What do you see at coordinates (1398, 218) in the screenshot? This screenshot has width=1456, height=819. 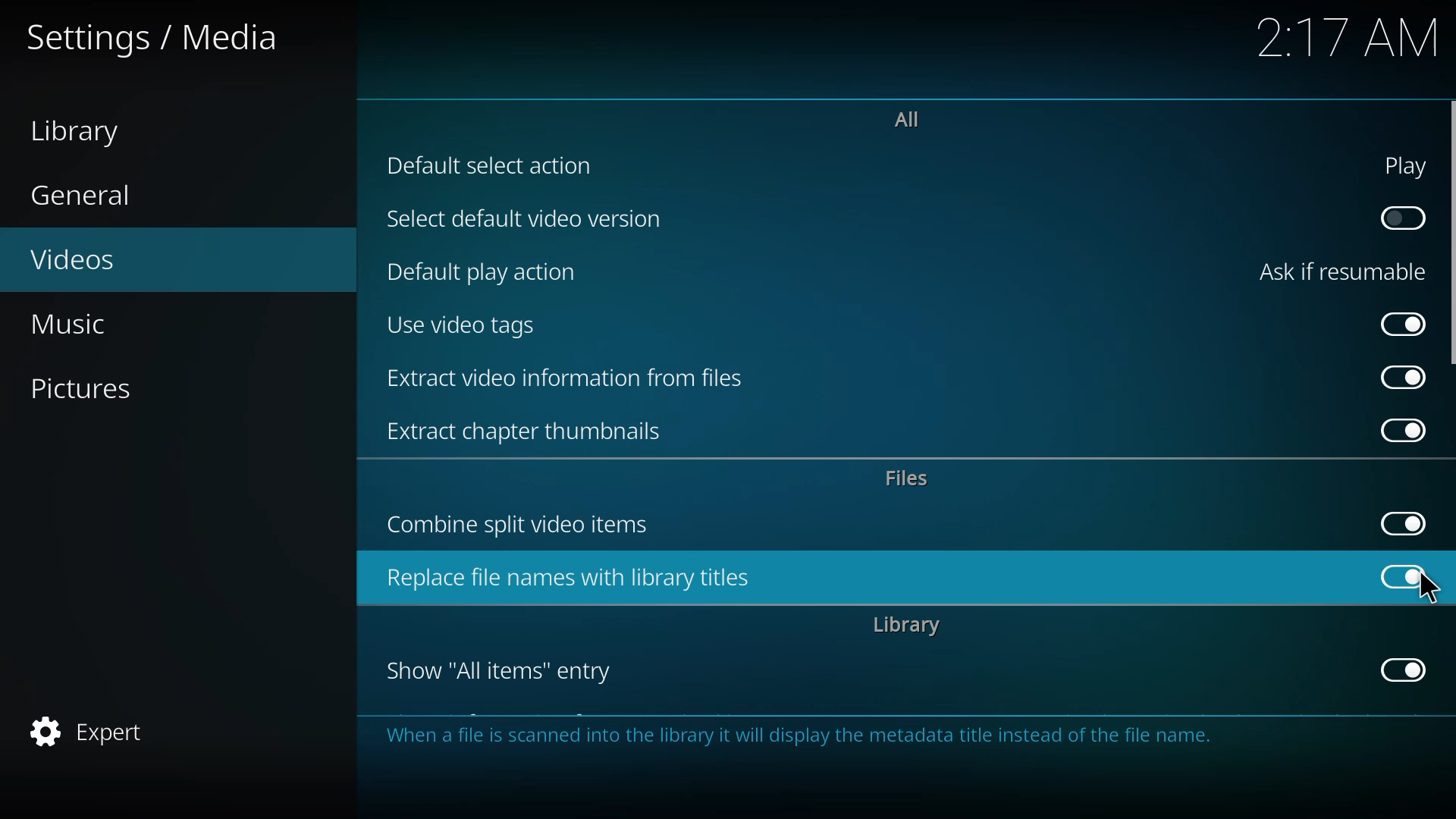 I see `click to enable` at bounding box center [1398, 218].